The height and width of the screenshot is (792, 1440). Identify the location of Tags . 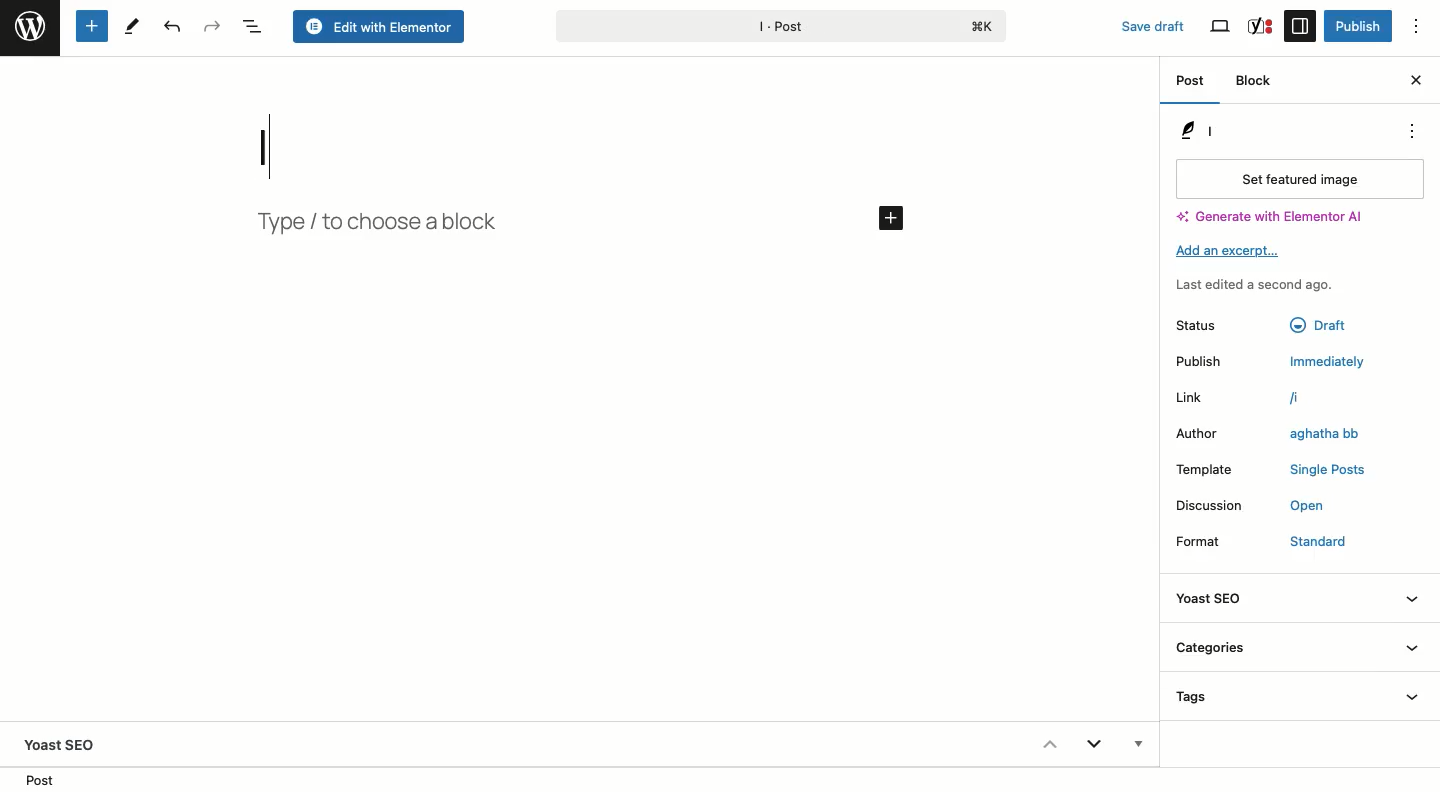
(1301, 702).